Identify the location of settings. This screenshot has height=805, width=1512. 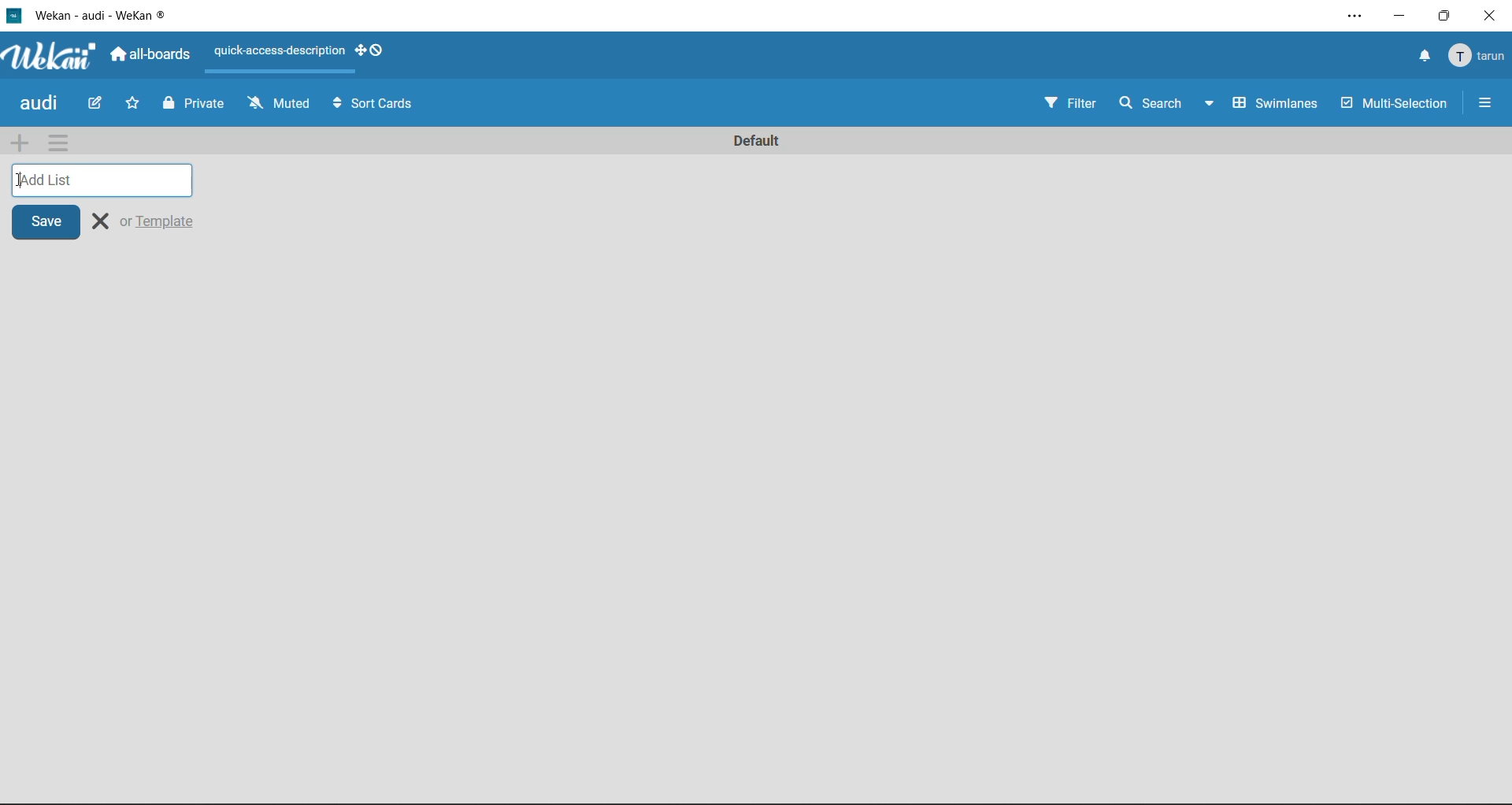
(1352, 16).